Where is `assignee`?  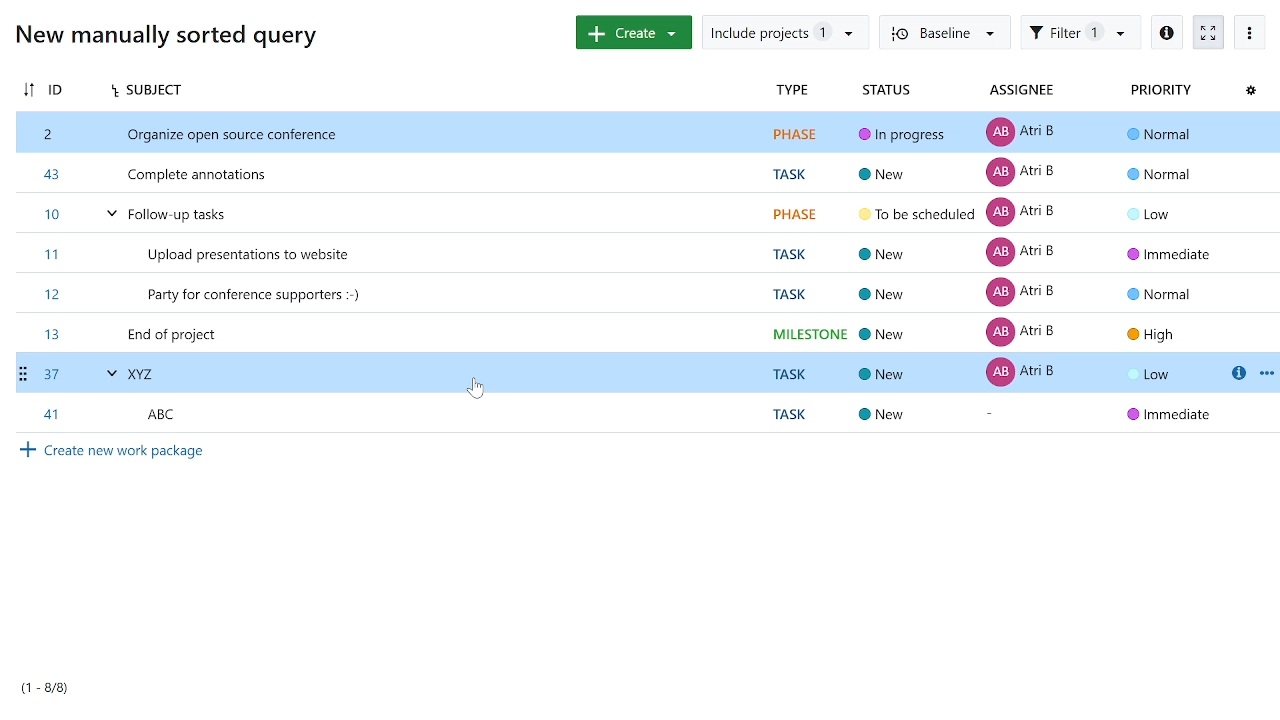 assignee is located at coordinates (1017, 92).